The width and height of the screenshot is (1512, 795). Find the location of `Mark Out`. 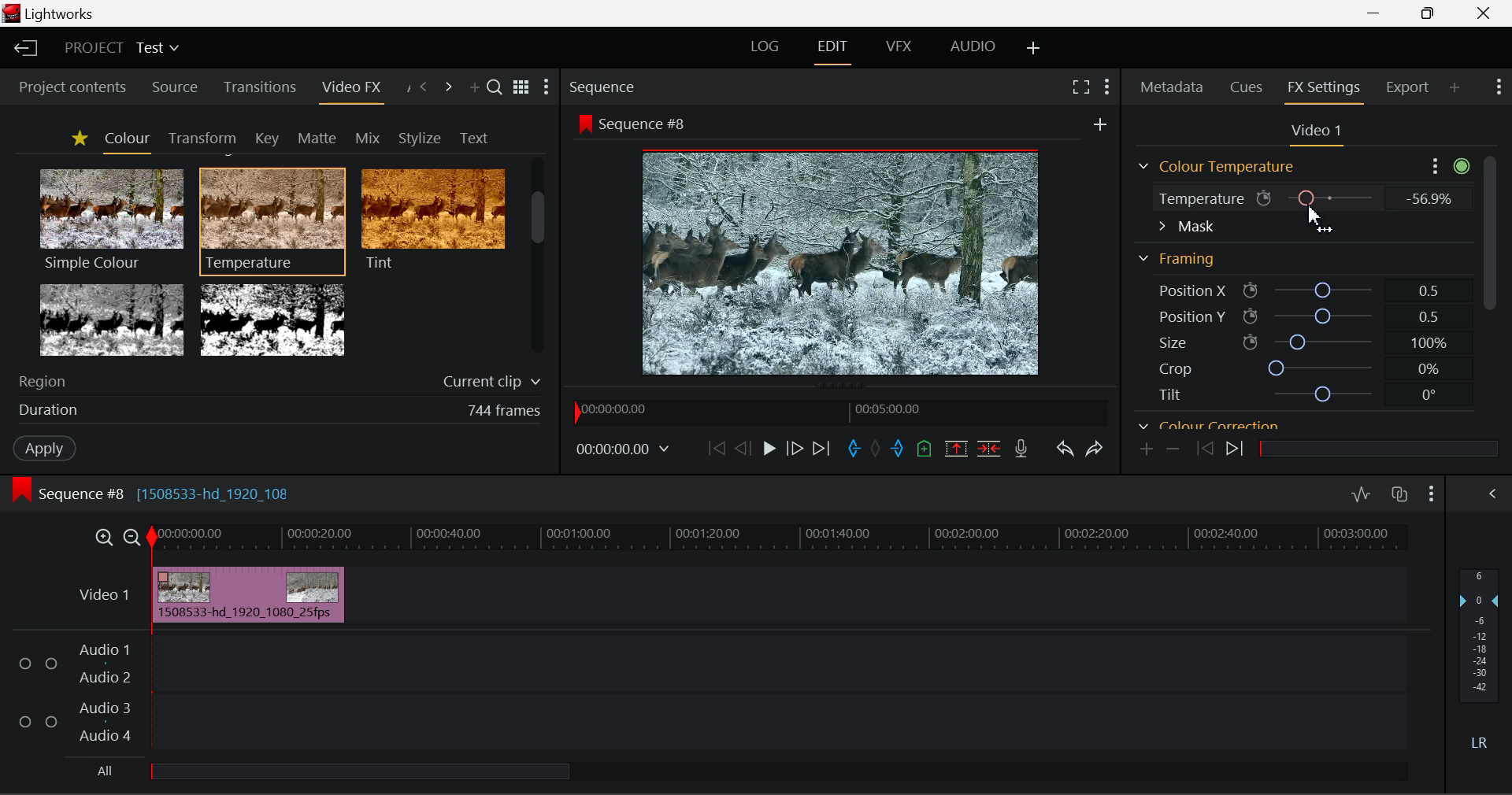

Mark Out is located at coordinates (898, 452).